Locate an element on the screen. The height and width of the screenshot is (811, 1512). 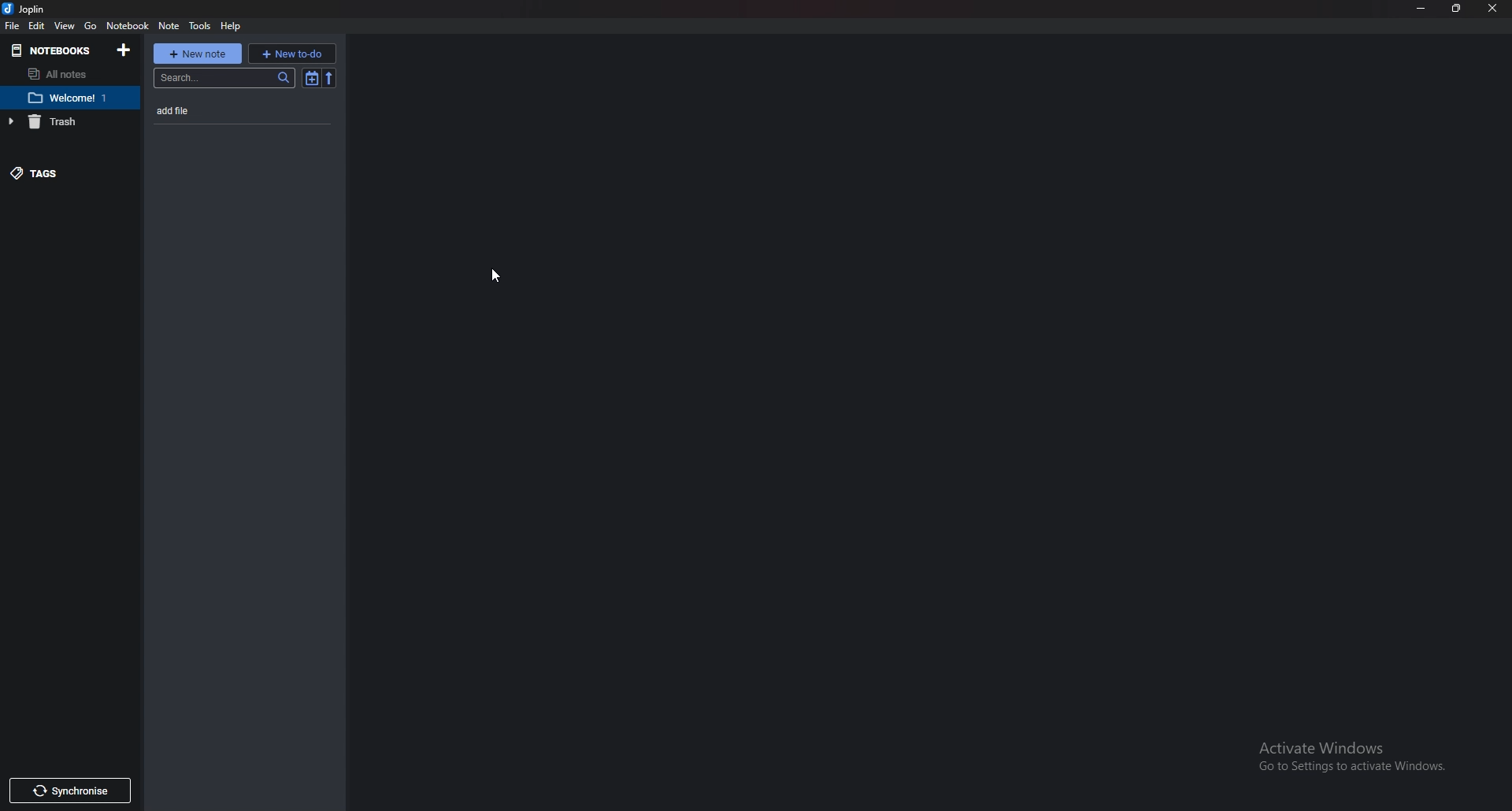
help is located at coordinates (232, 27).